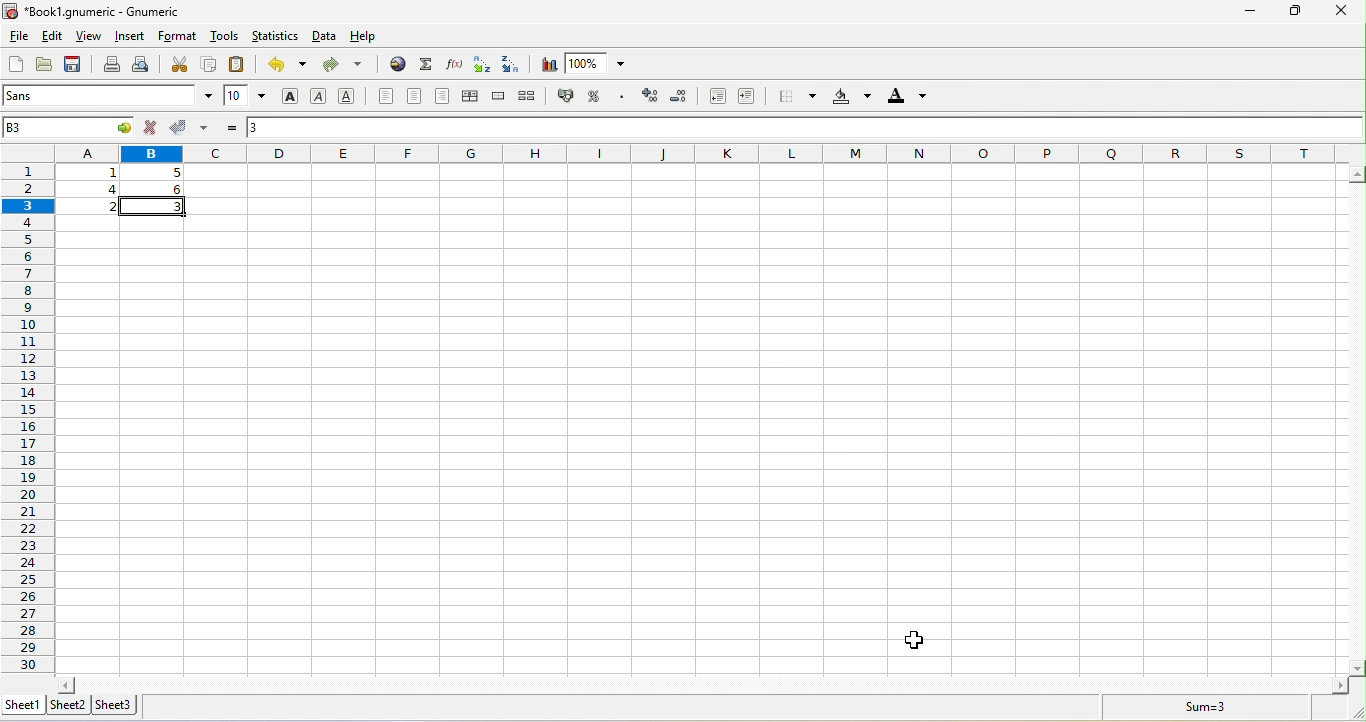  Describe the element at coordinates (445, 96) in the screenshot. I see `align right` at that location.